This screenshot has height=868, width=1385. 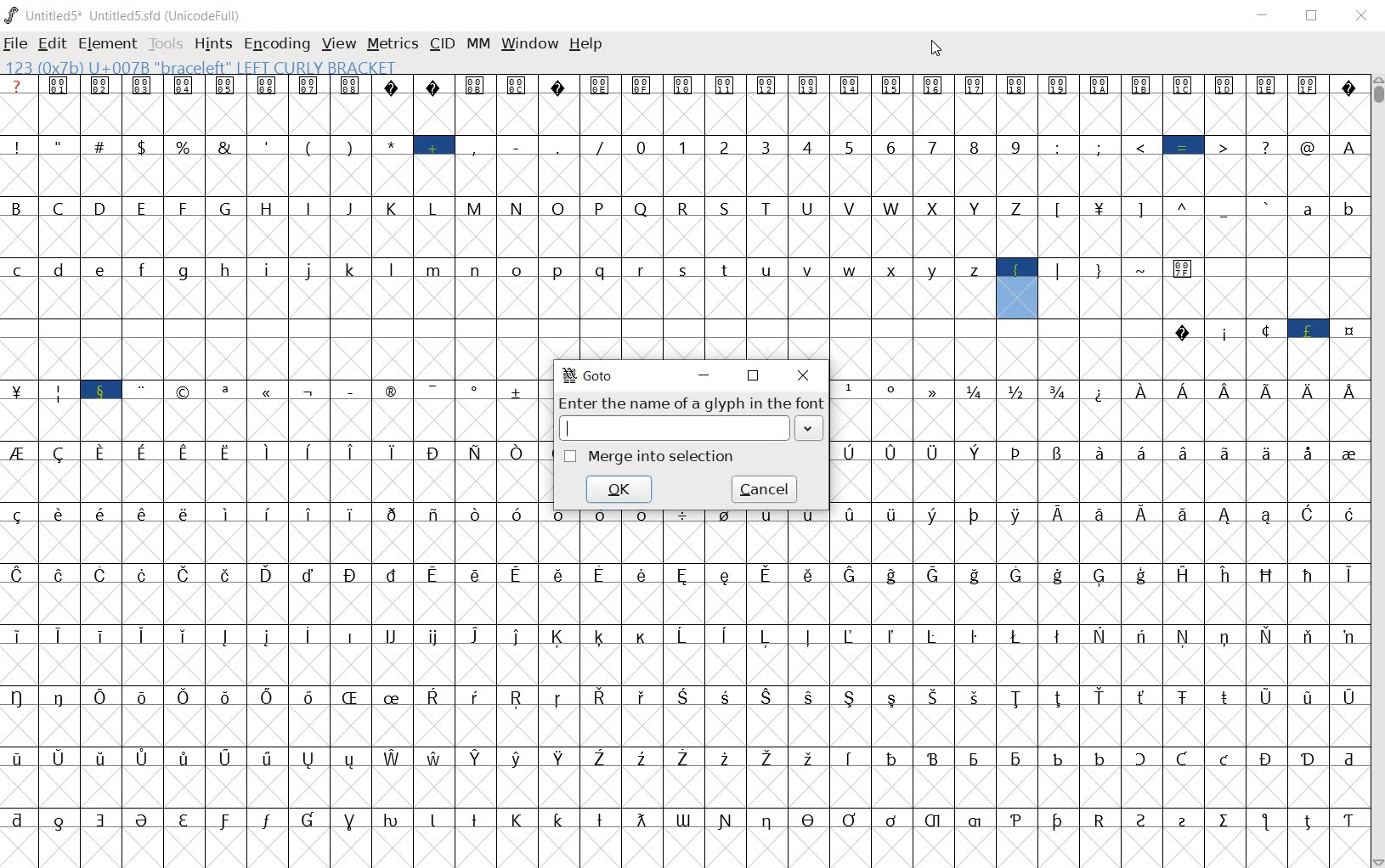 What do you see at coordinates (392, 45) in the screenshot?
I see `METRICS` at bounding box center [392, 45].